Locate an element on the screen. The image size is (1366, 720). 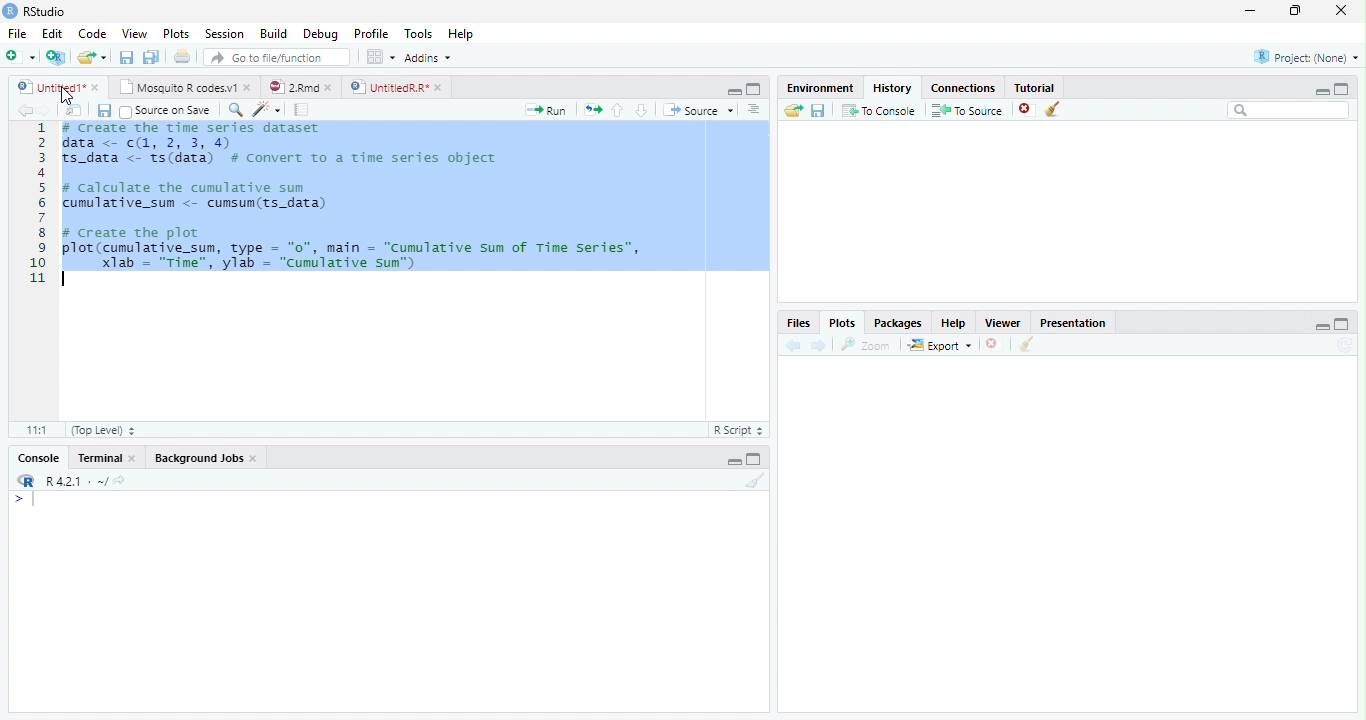
Print is located at coordinates (184, 58).